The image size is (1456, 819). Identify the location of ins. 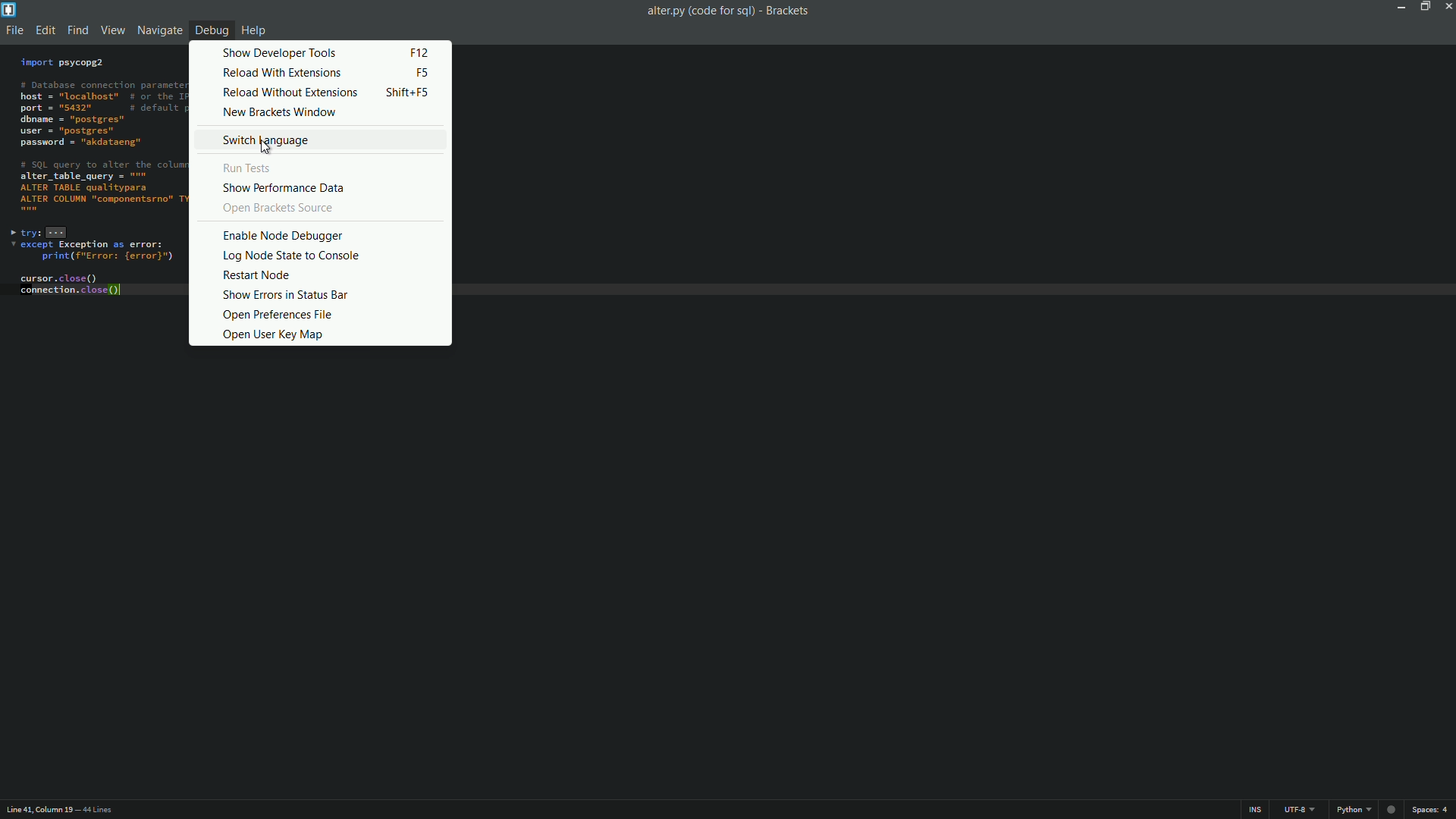
(1255, 811).